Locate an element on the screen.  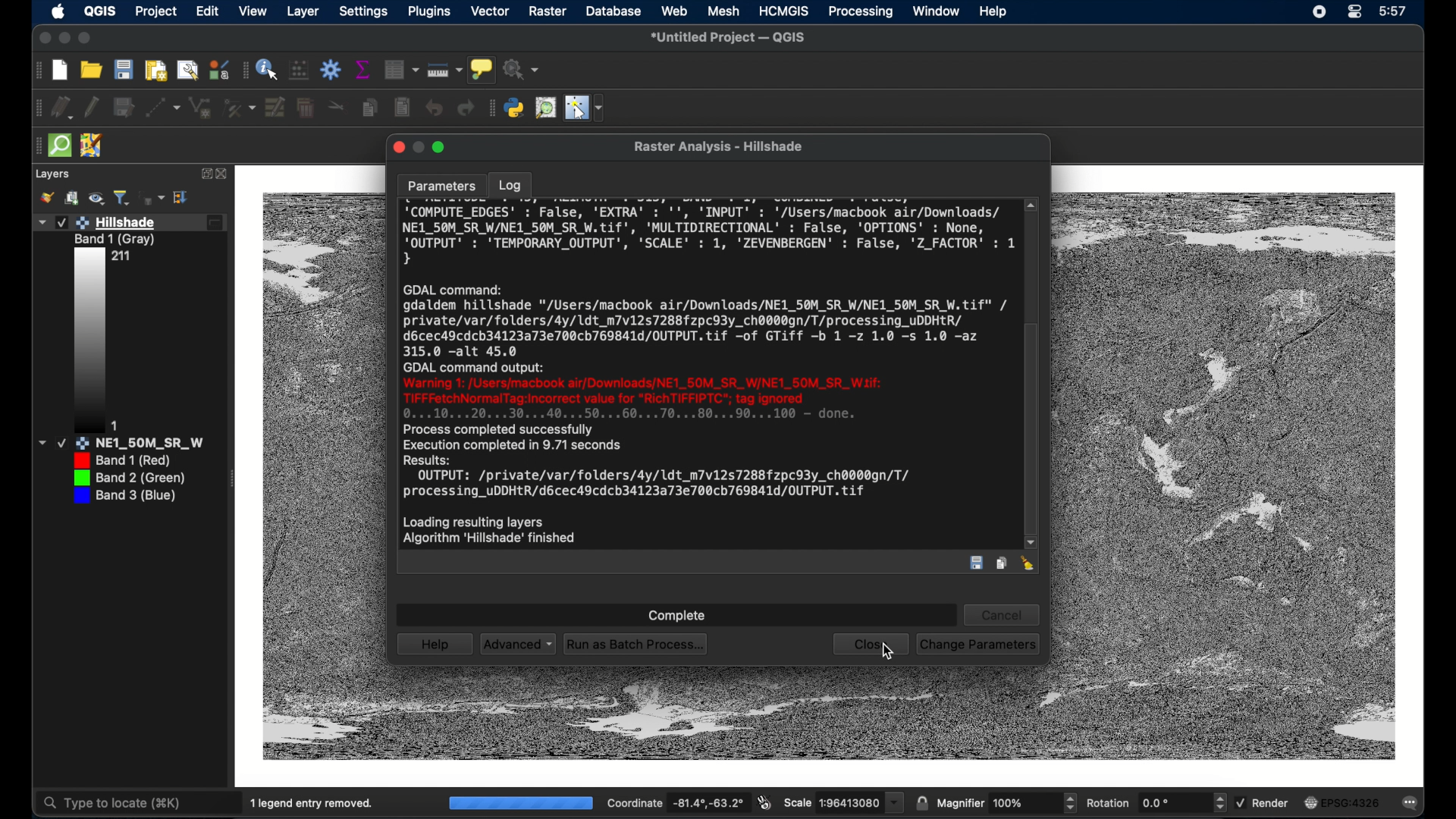
toolbar is located at coordinates (331, 71).